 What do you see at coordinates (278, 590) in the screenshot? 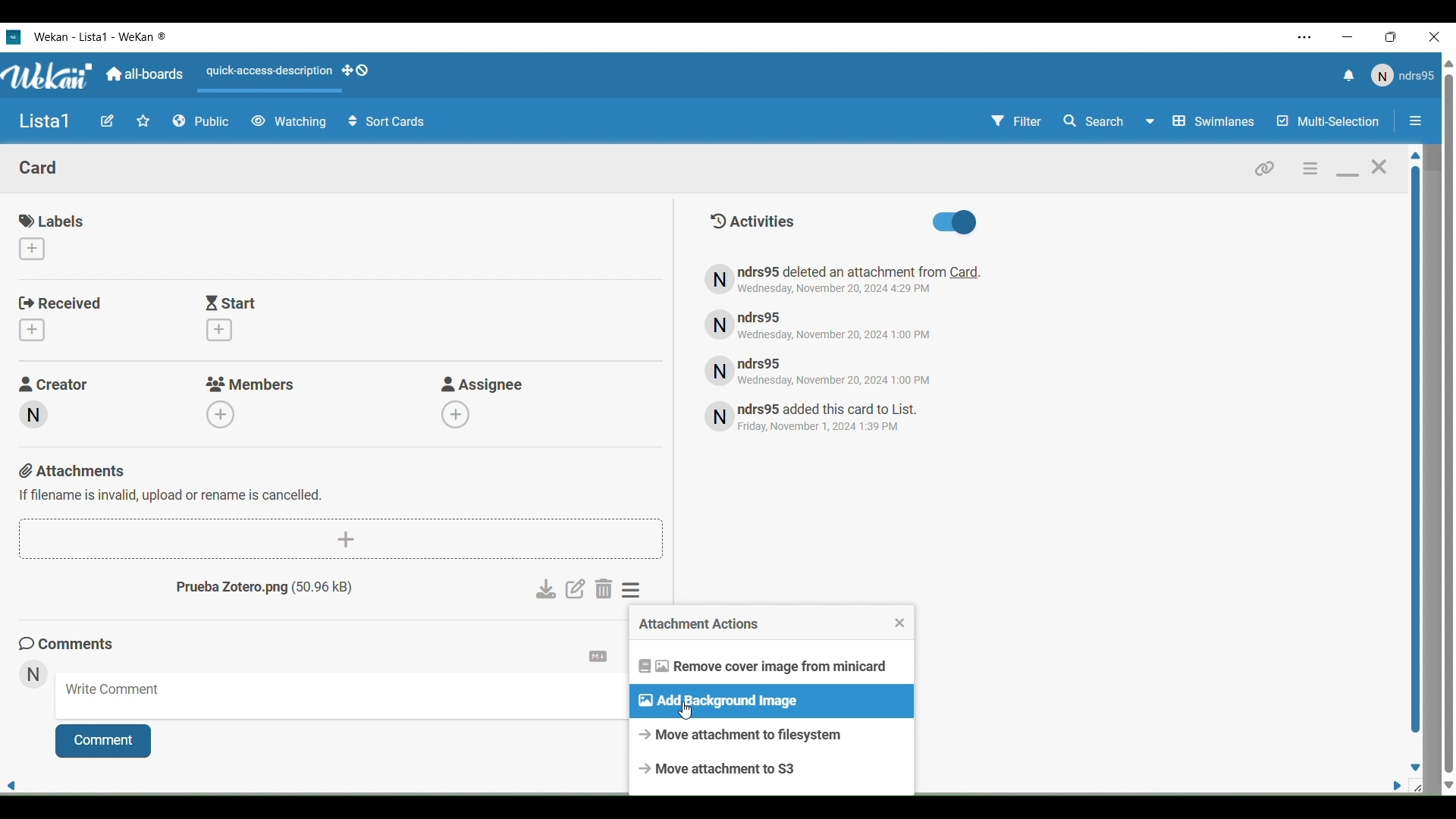
I see `Text` at bounding box center [278, 590].